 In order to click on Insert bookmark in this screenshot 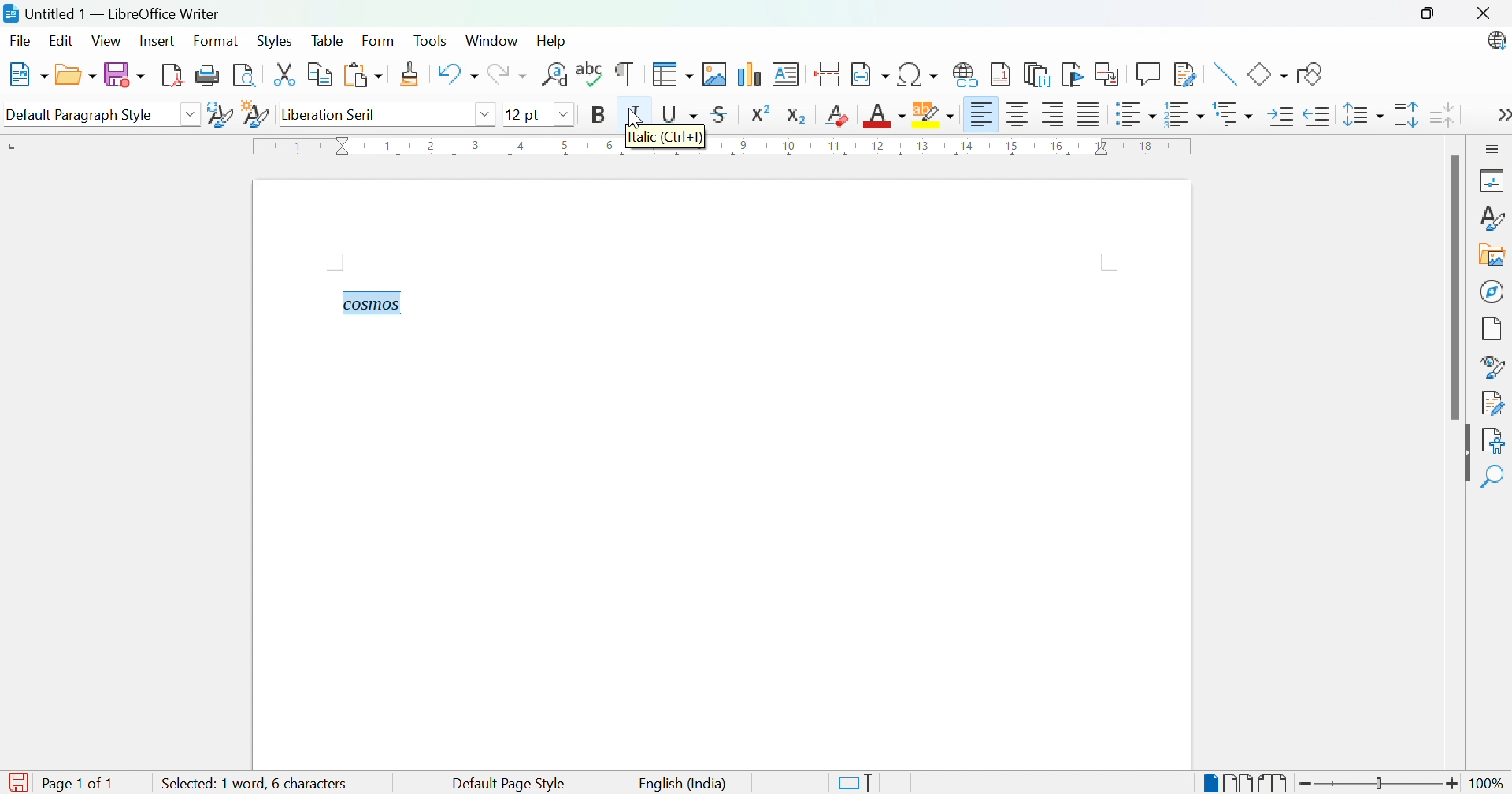, I will do `click(1073, 74)`.